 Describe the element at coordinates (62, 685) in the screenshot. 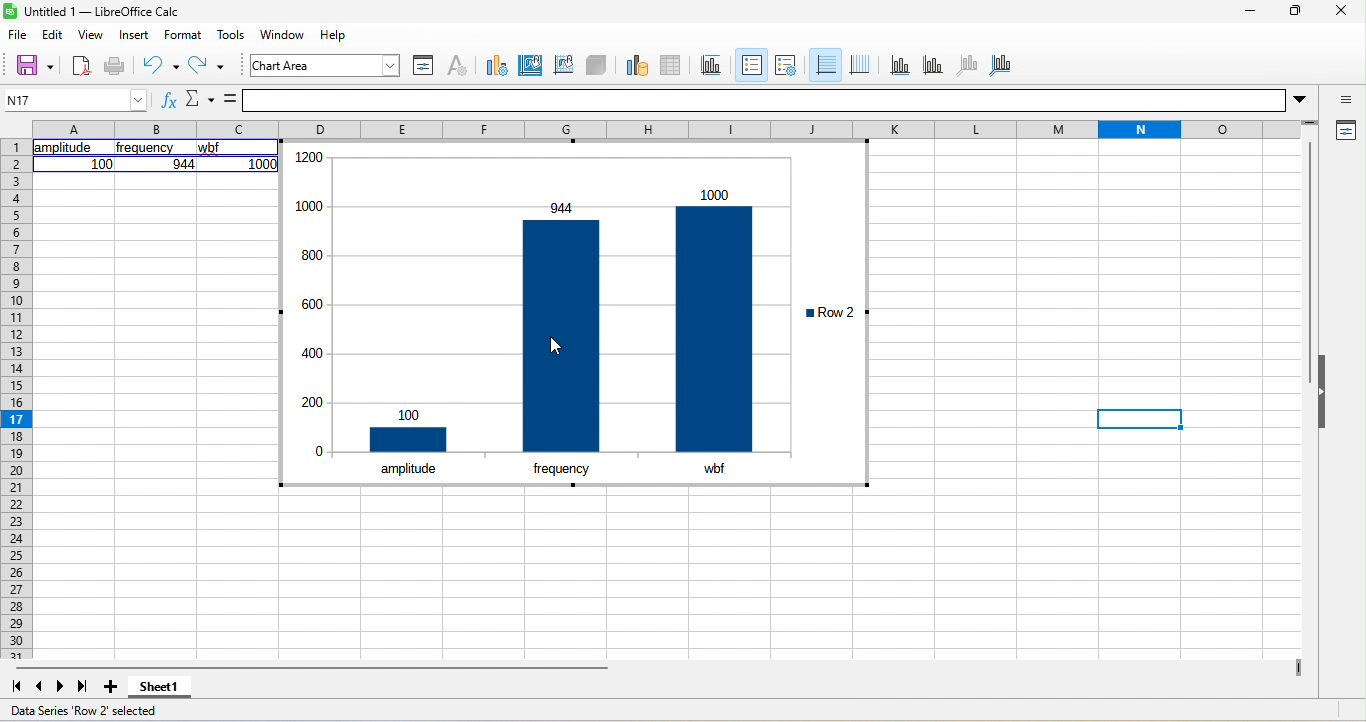

I see `next sheet` at that location.